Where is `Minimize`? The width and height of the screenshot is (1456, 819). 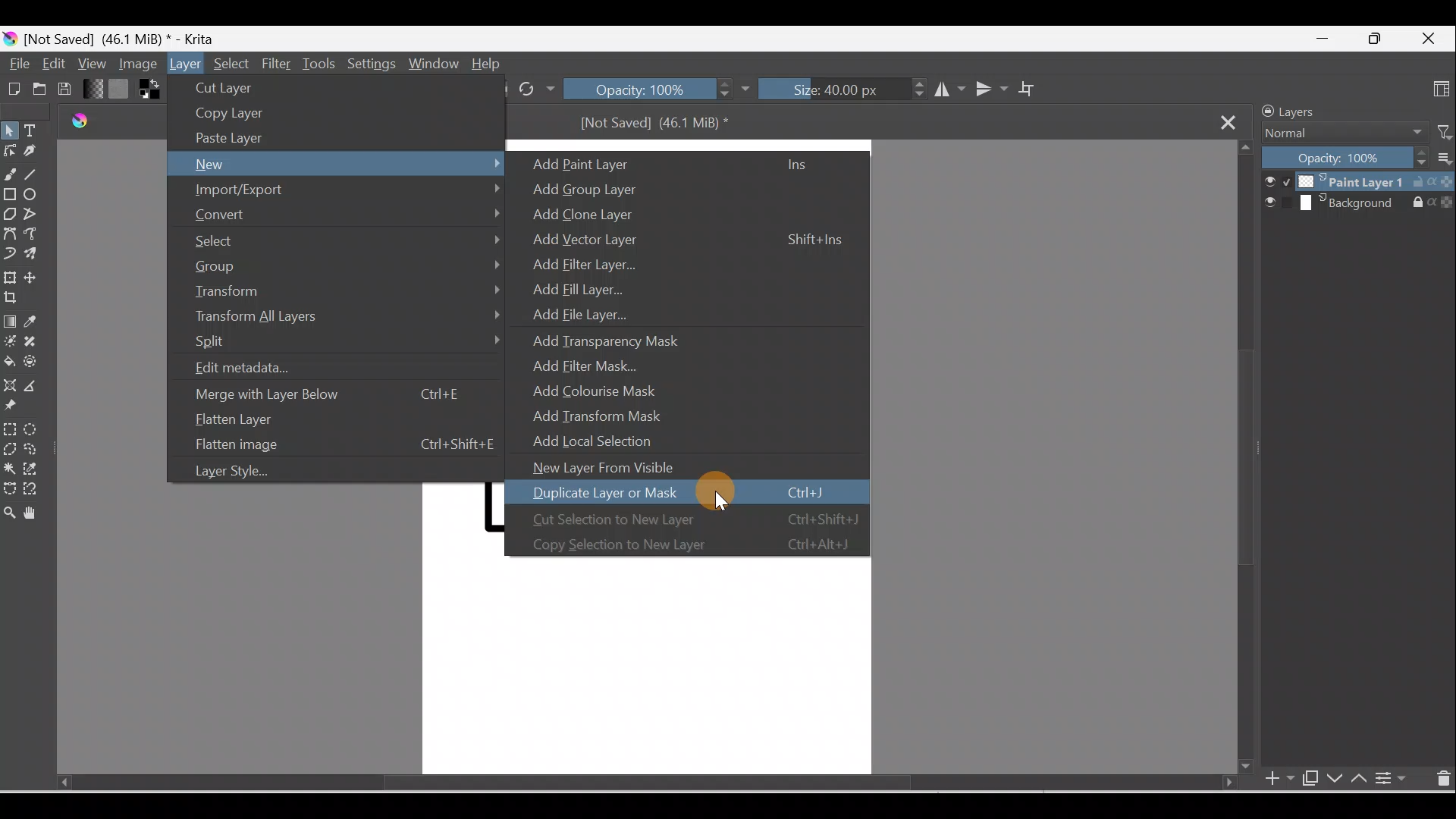 Minimize is located at coordinates (1318, 42).